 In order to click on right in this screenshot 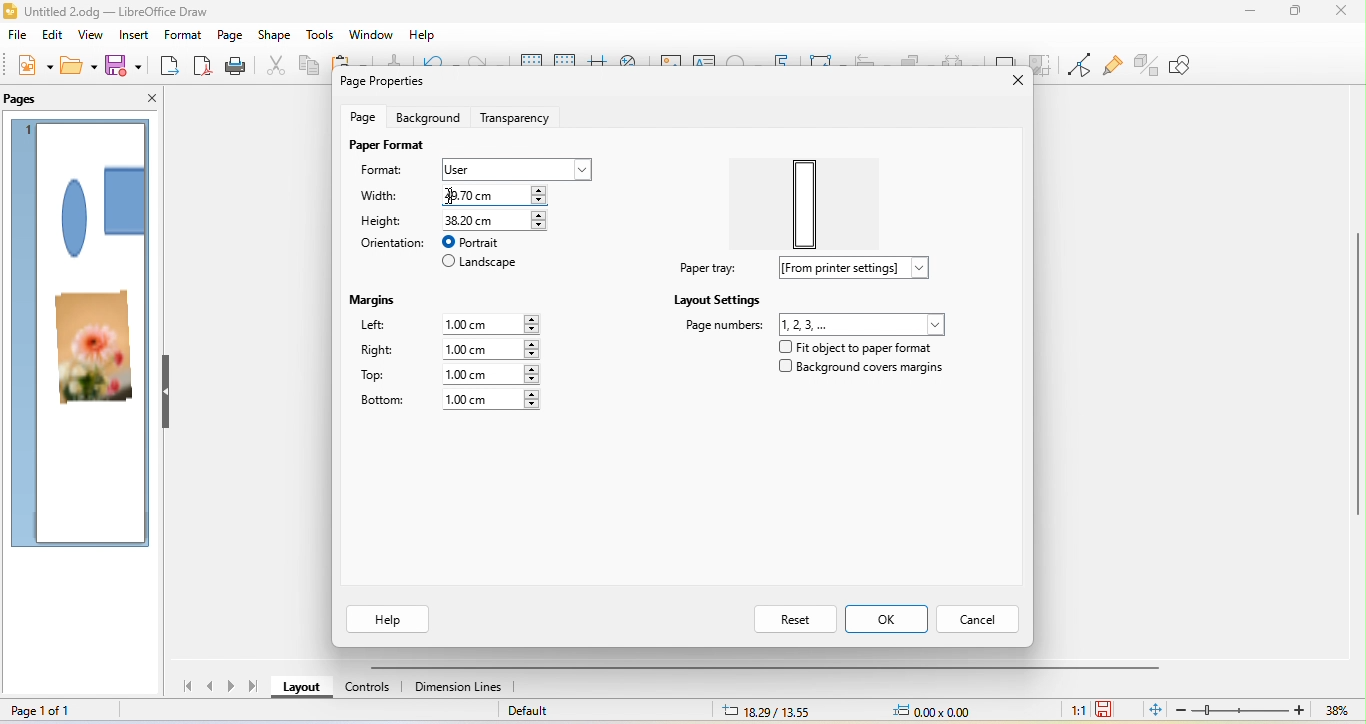, I will do `click(378, 351)`.